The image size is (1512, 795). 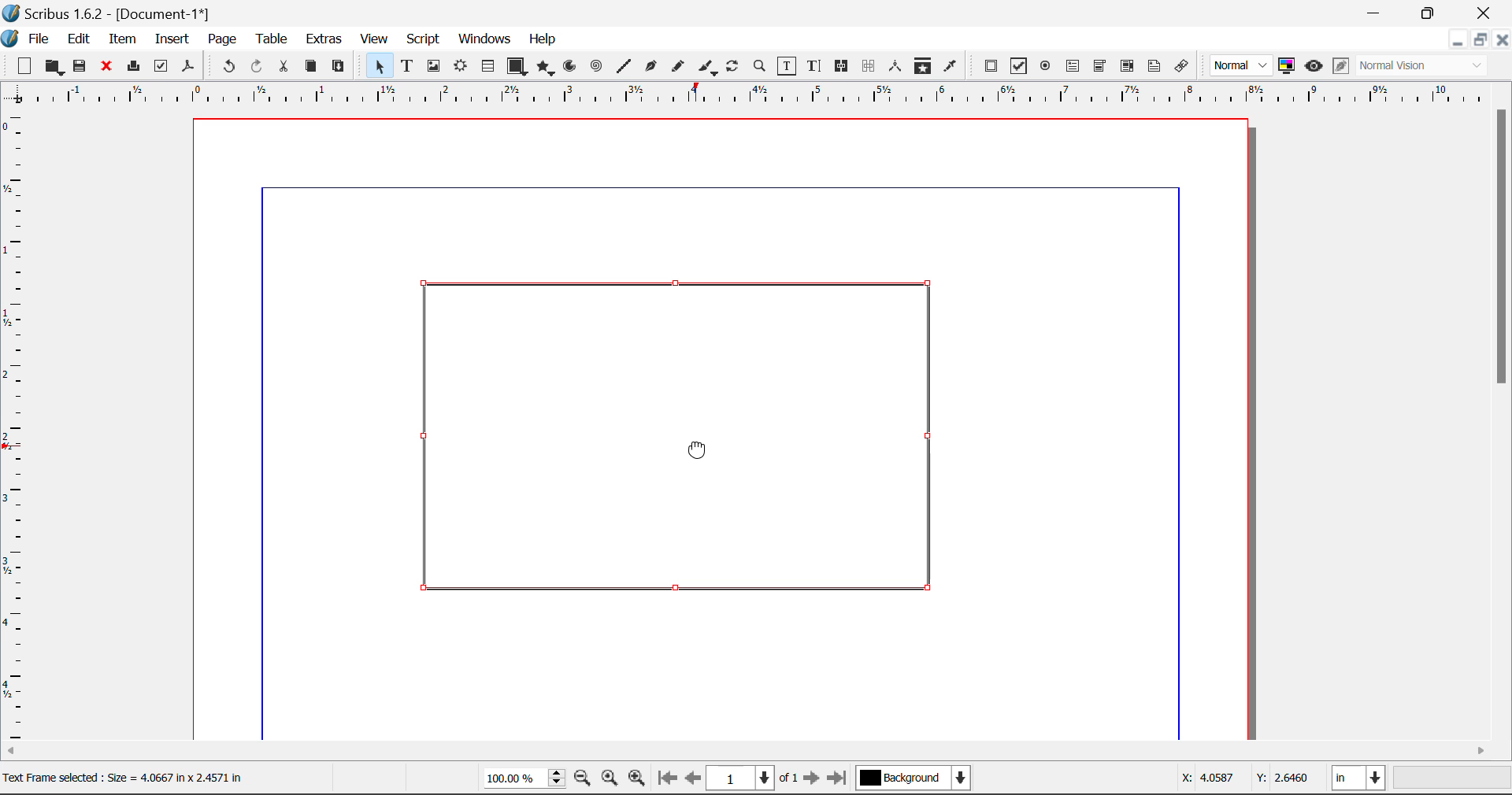 I want to click on Save, so click(x=81, y=66).